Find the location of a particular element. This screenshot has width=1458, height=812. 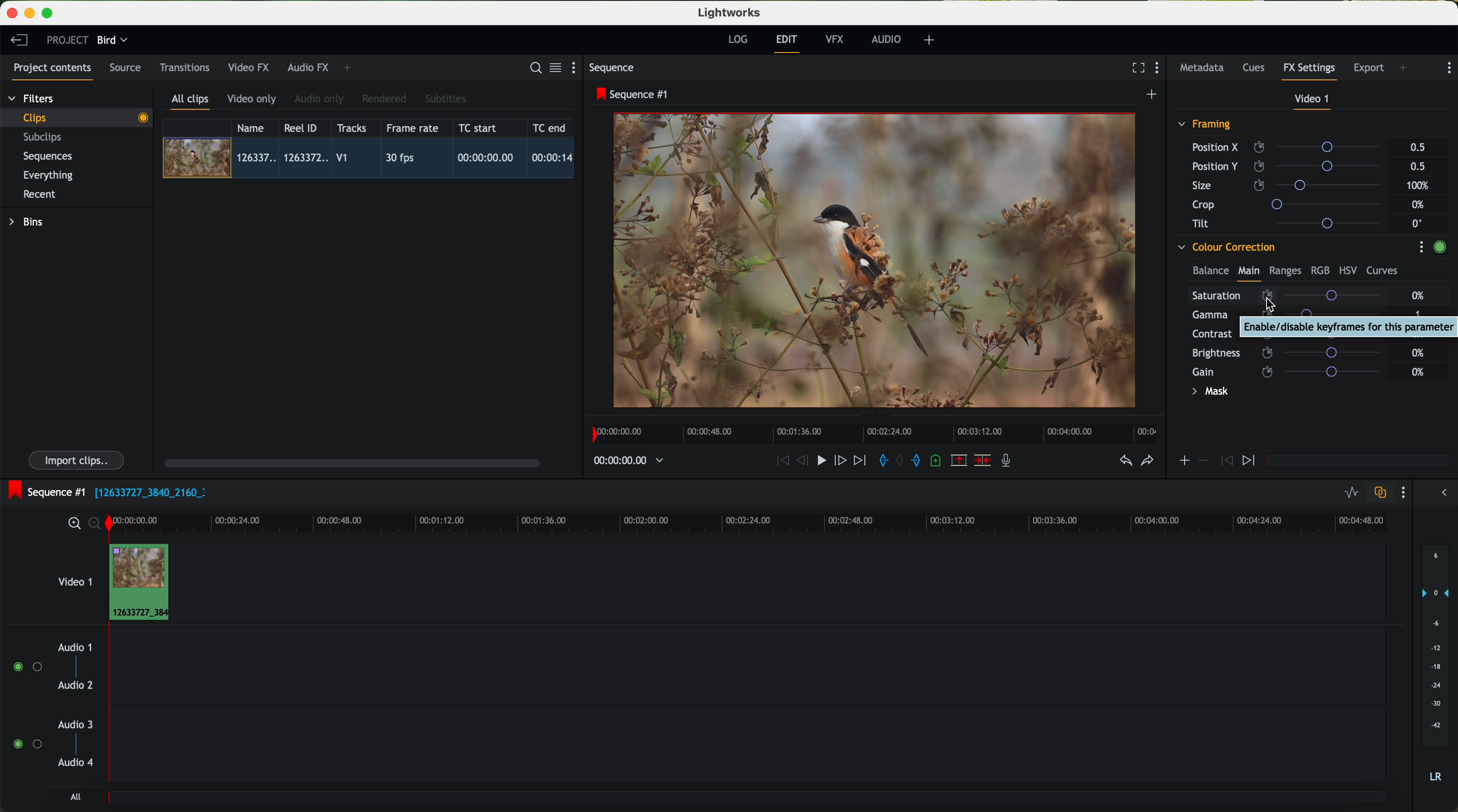

black is located at coordinates (146, 491).